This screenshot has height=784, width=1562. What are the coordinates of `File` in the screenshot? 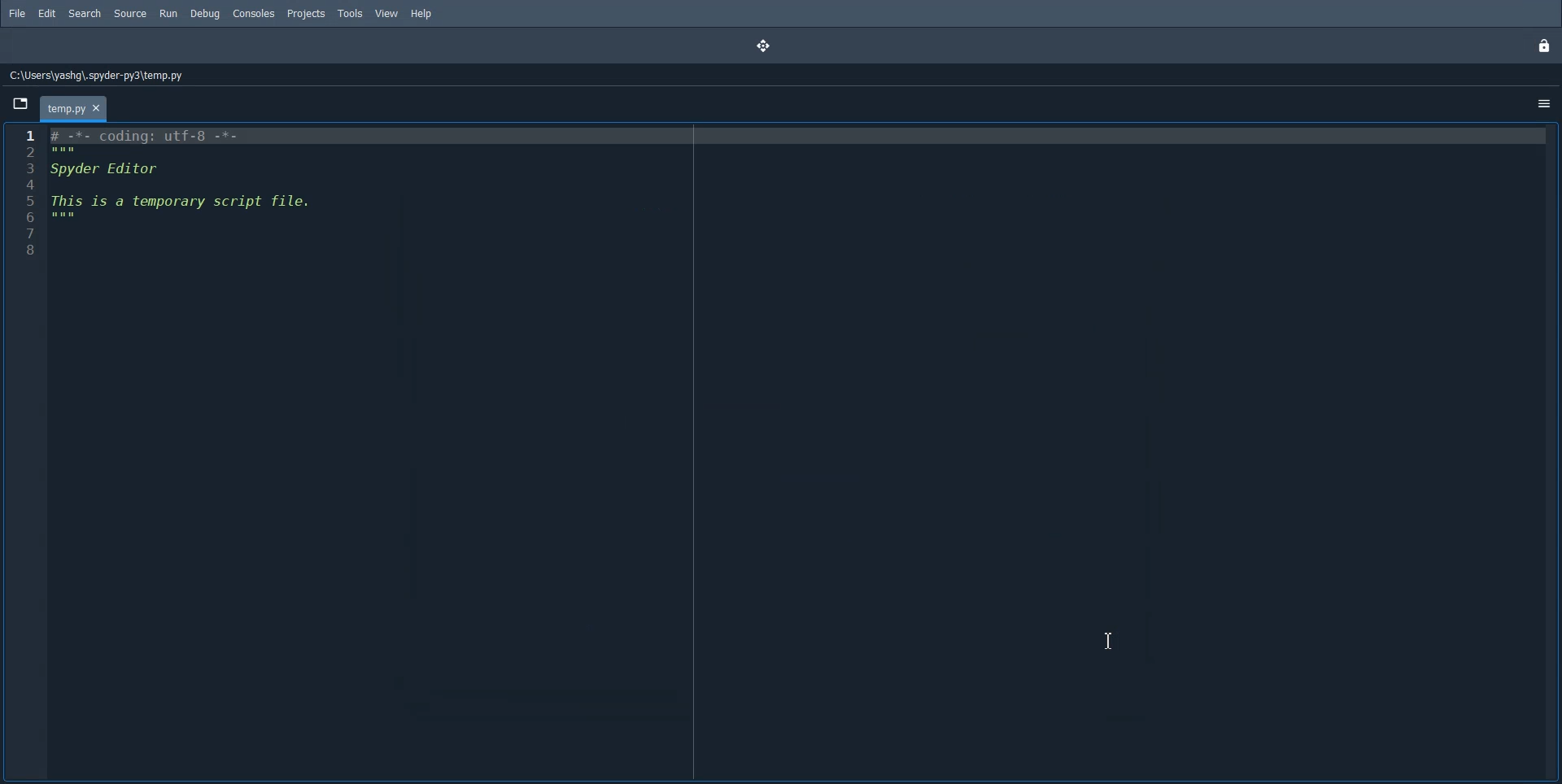 It's located at (17, 13).